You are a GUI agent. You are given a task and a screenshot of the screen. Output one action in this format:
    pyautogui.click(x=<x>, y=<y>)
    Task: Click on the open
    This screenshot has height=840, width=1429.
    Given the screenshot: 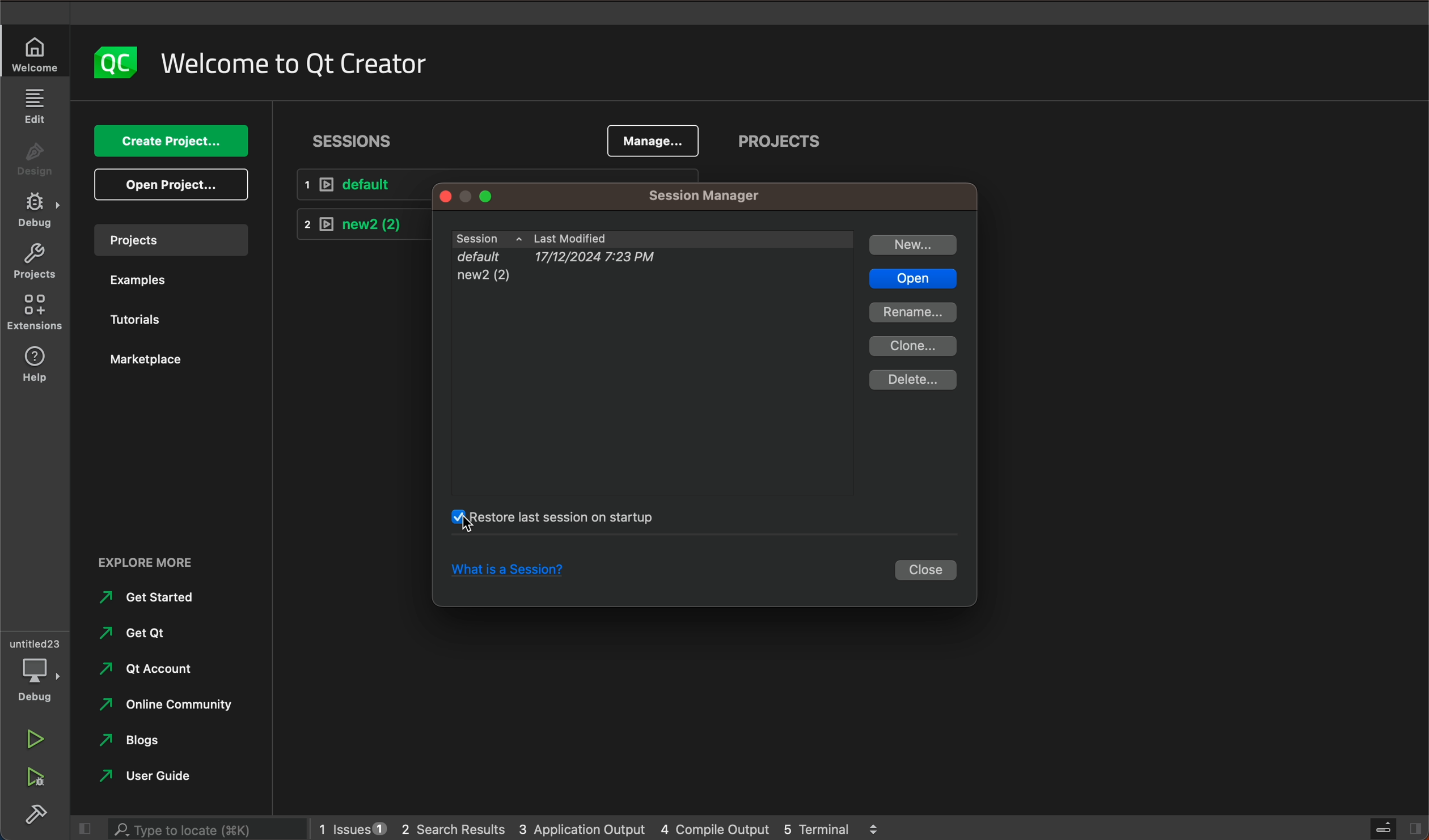 What is the action you would take?
    pyautogui.click(x=911, y=278)
    